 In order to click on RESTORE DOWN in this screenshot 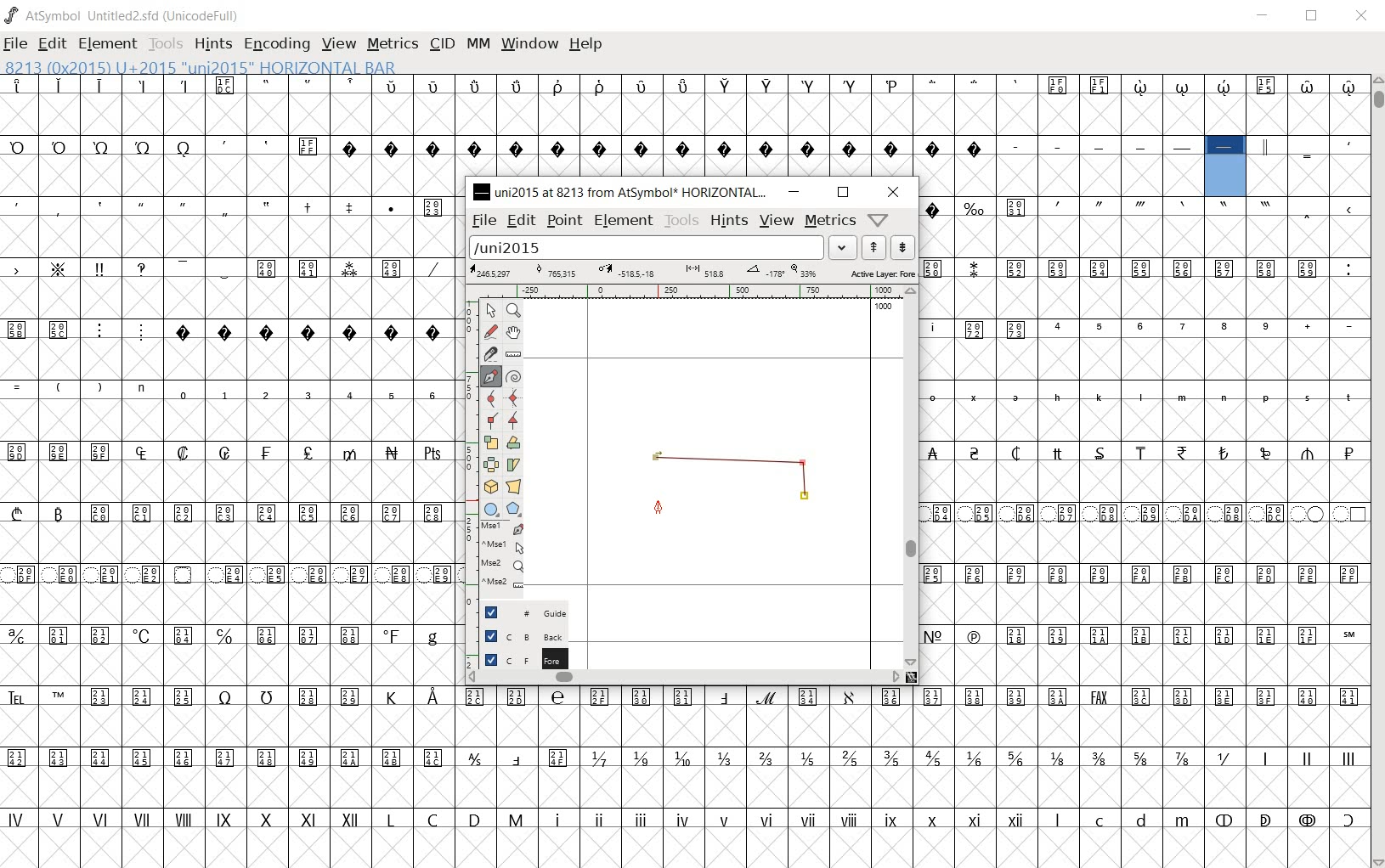, I will do `click(1314, 17)`.